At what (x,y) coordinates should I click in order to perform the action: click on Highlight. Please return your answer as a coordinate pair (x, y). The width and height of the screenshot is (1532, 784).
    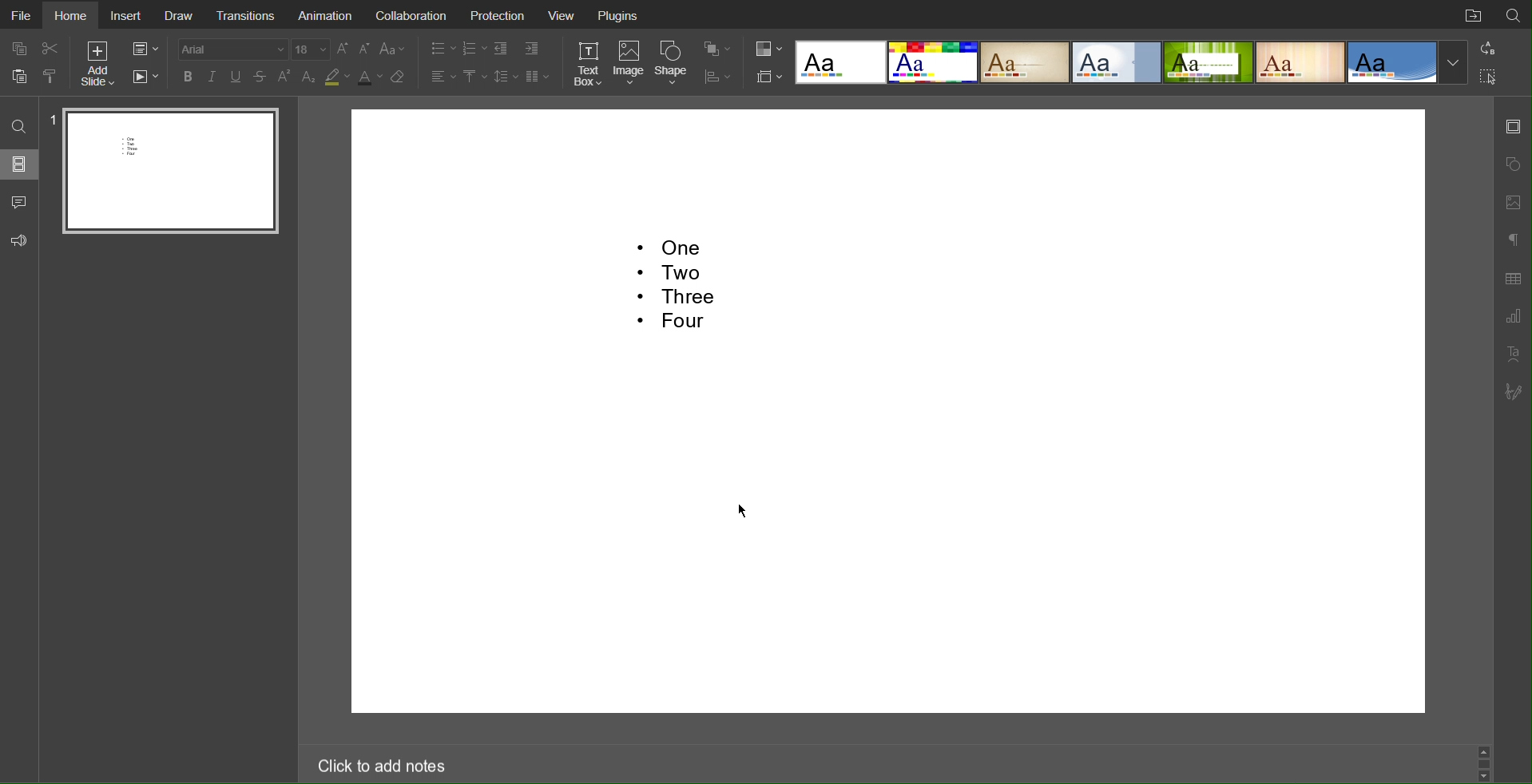
    Looking at the image, I should click on (338, 77).